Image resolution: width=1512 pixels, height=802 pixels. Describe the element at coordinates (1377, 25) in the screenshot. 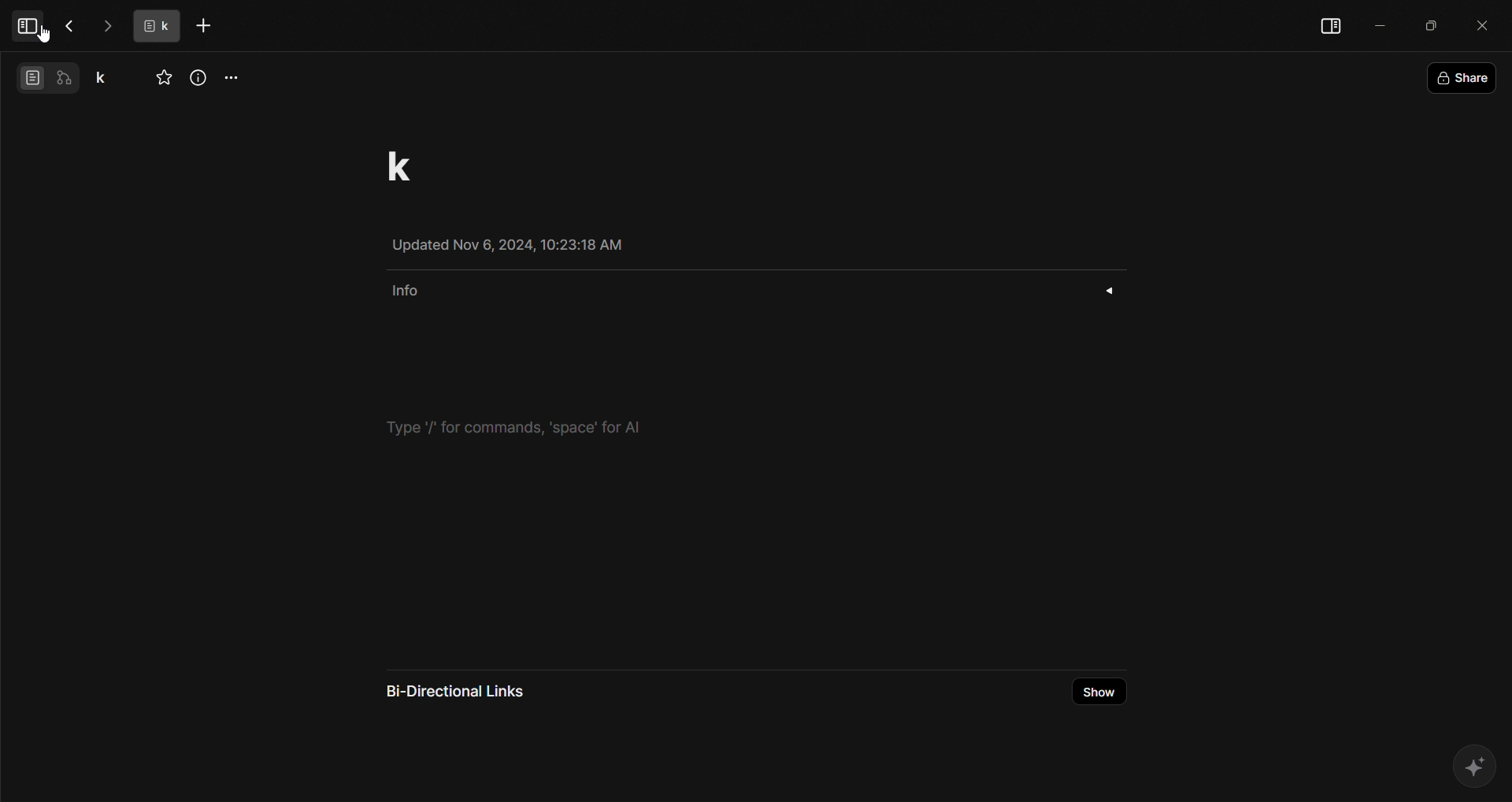

I see `minimize` at that location.